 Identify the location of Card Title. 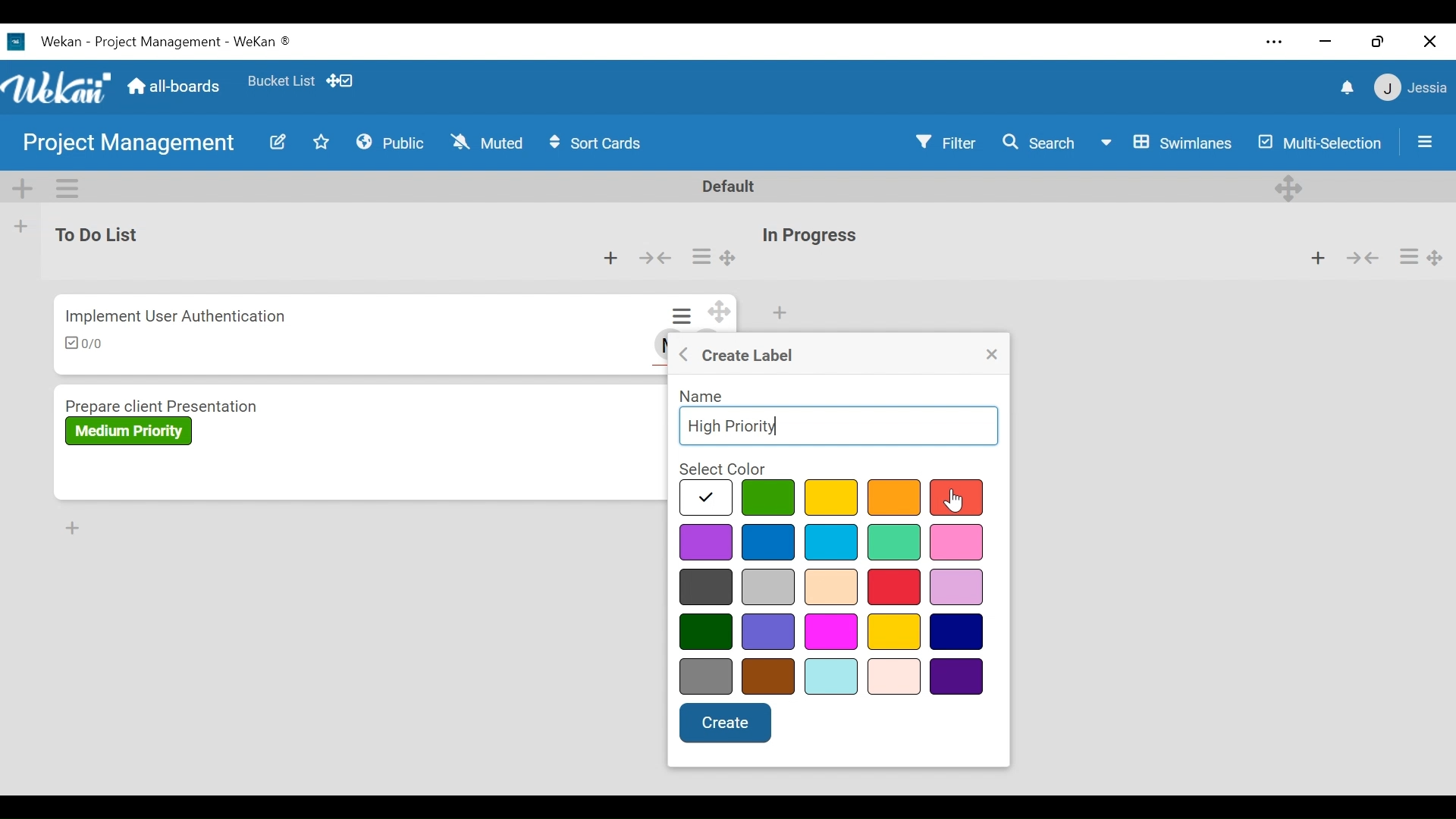
(168, 403).